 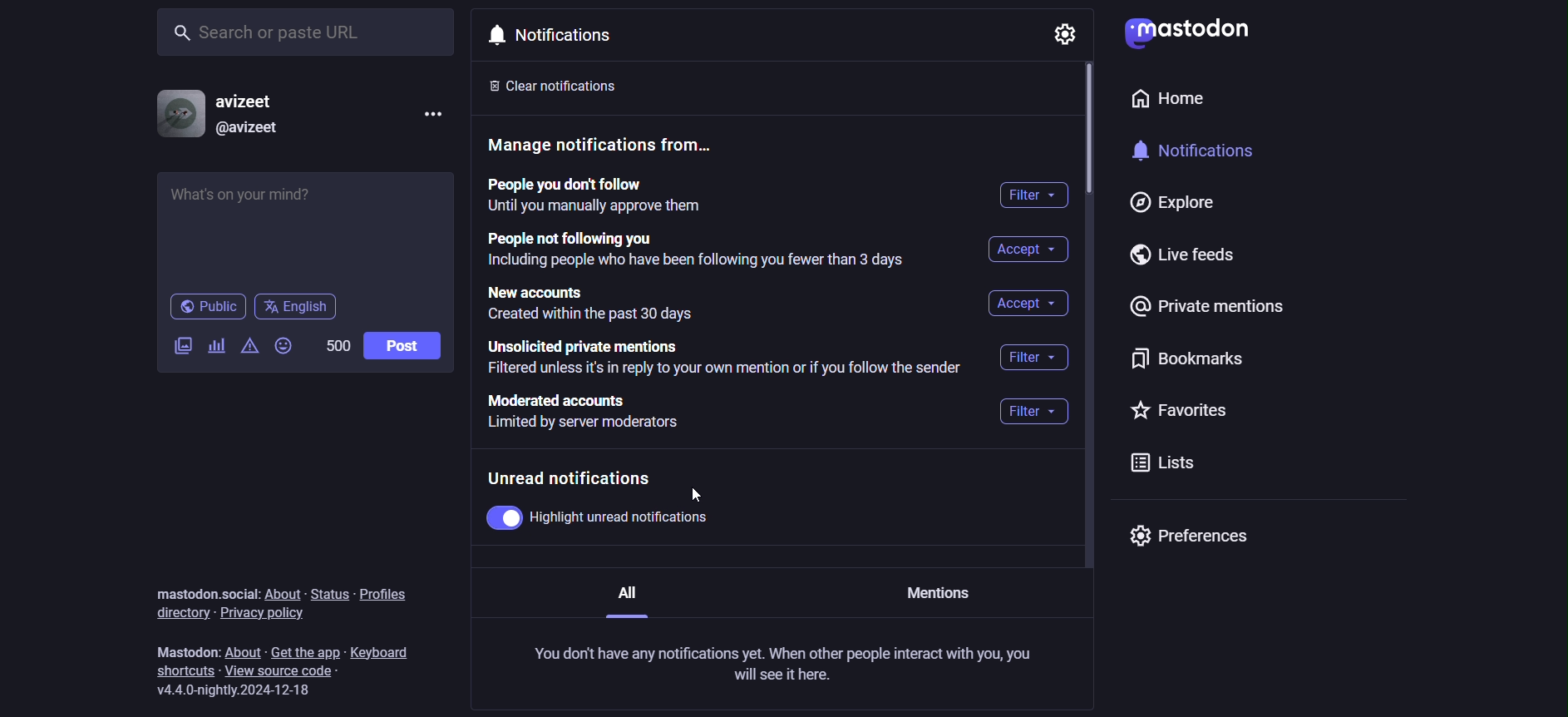 I want to click on Unread notifications, so click(x=573, y=476).